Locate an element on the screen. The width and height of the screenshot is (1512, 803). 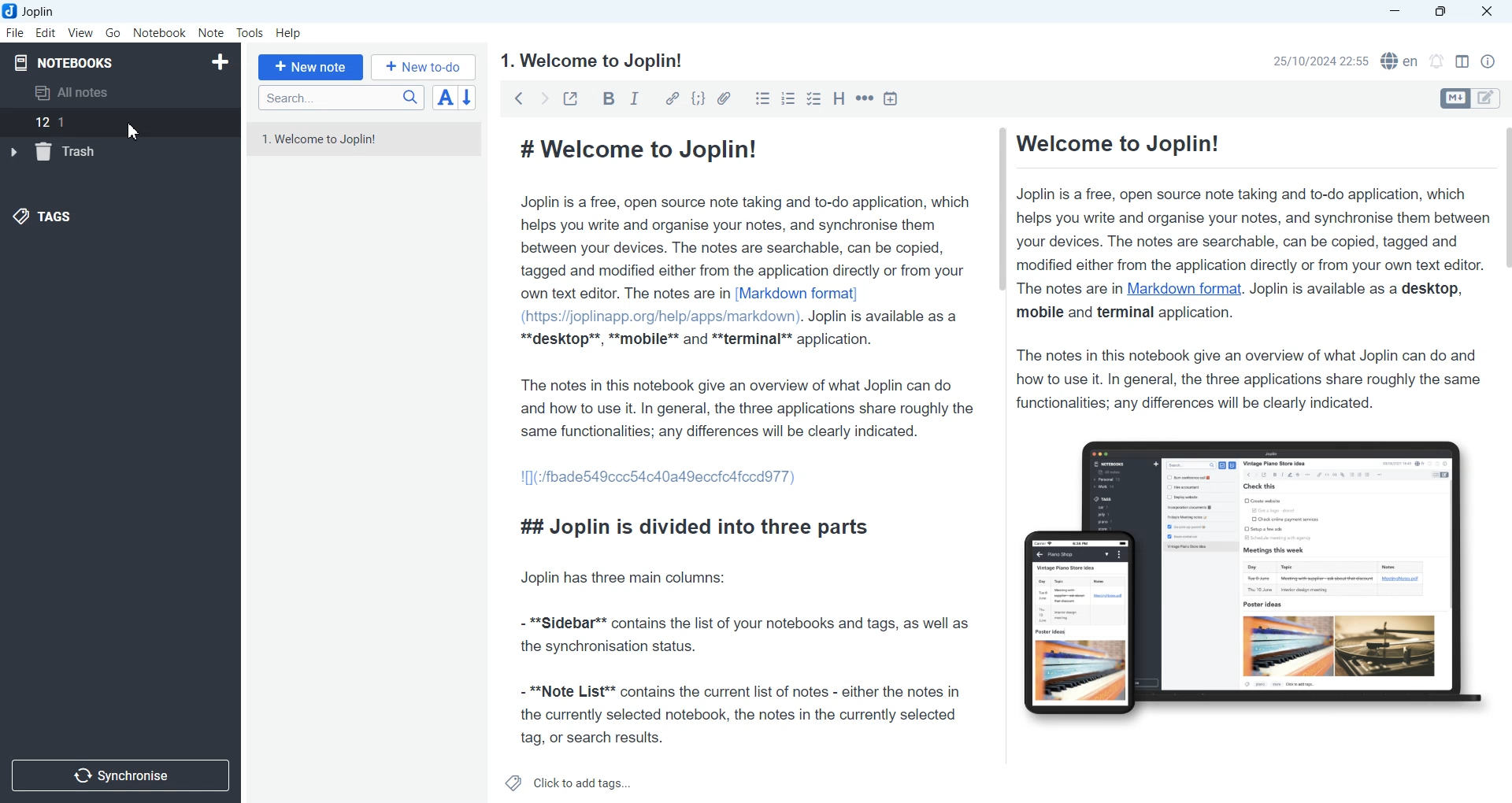
Close is located at coordinates (1485, 12).